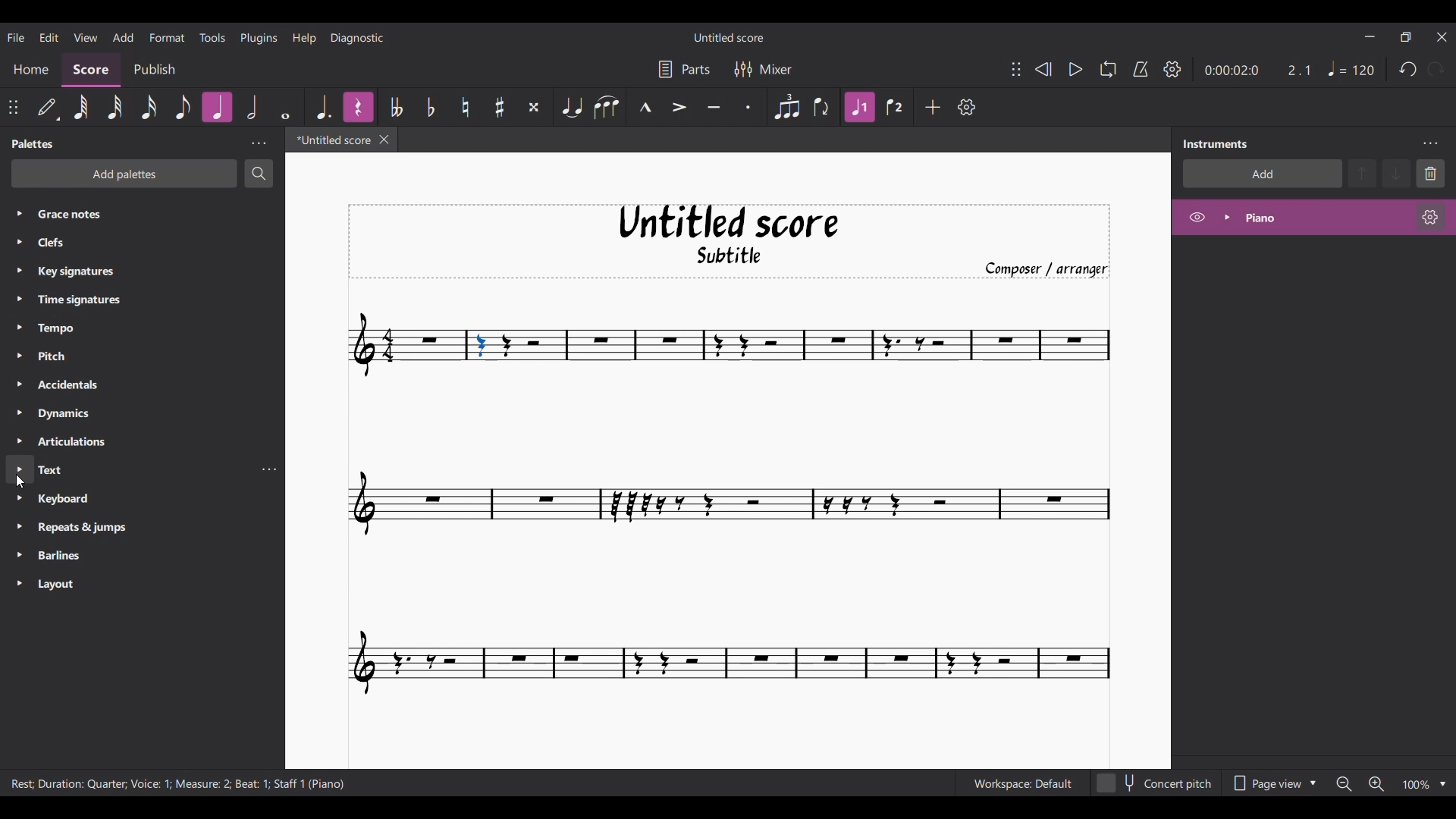 The height and width of the screenshot is (819, 1456). I want to click on Title, sub-title, and composer name, so click(727, 242).